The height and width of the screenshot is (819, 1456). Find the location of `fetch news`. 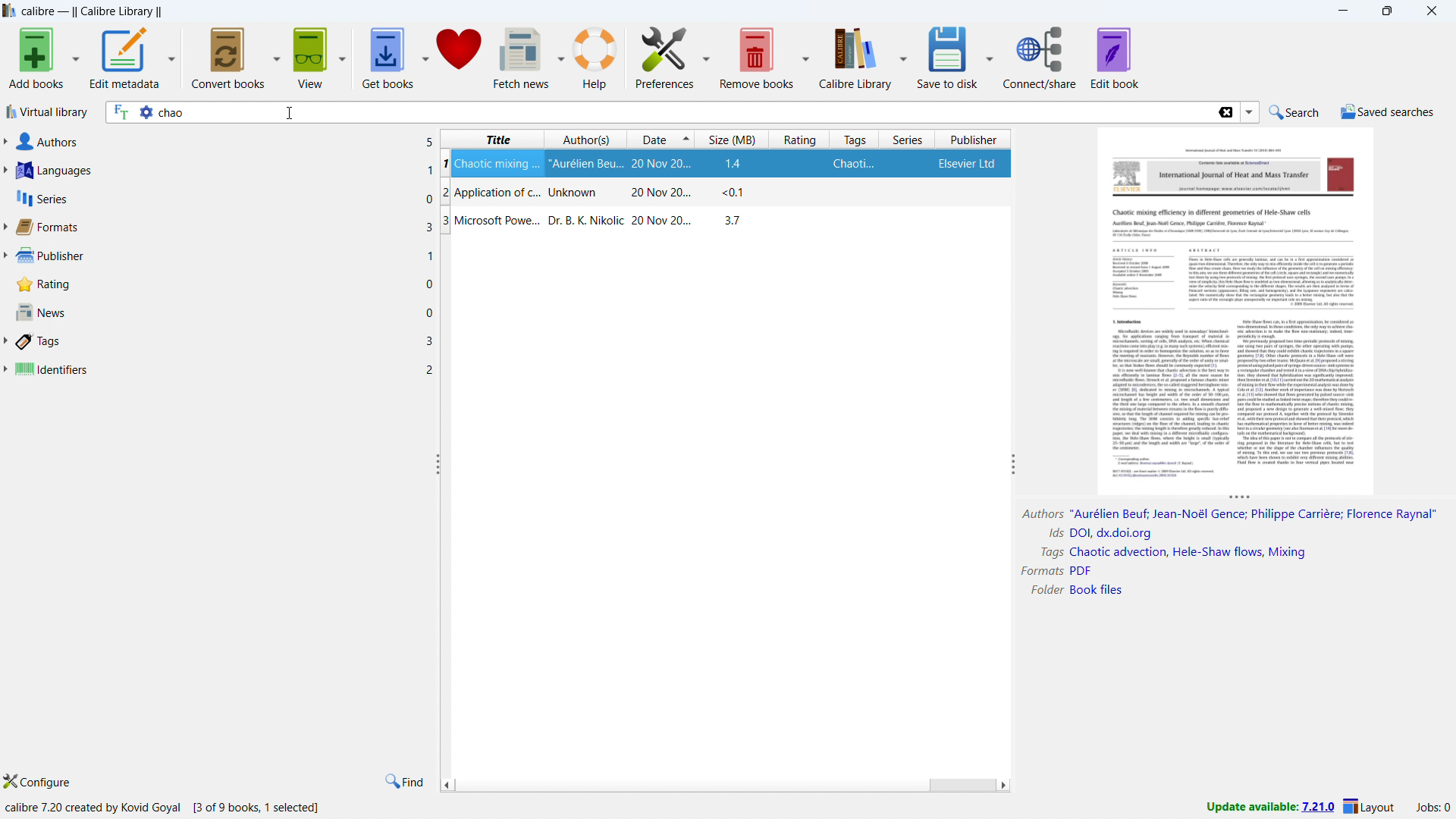

fetch news is located at coordinates (522, 57).